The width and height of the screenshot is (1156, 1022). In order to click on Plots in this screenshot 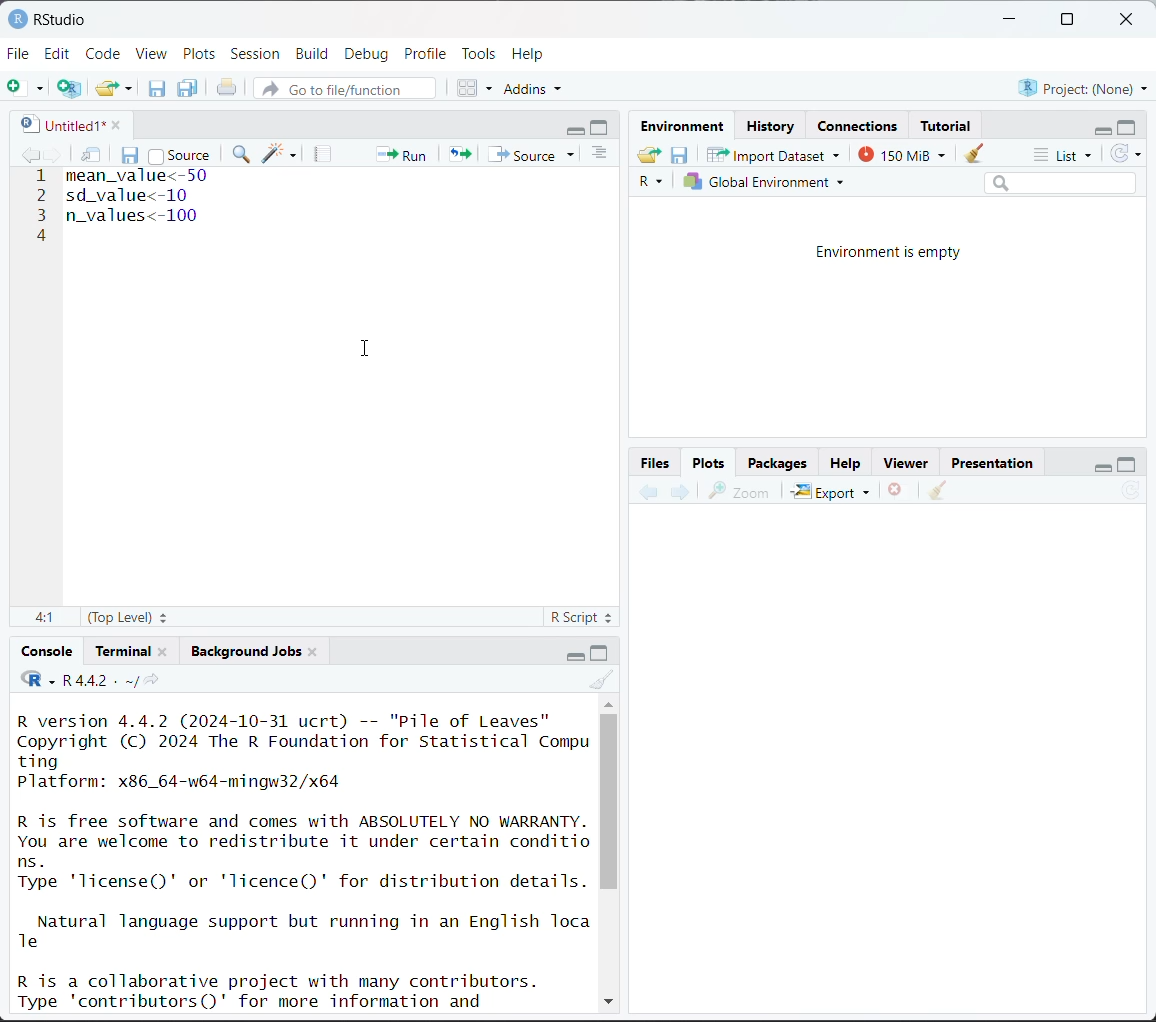, I will do `click(200, 53)`.